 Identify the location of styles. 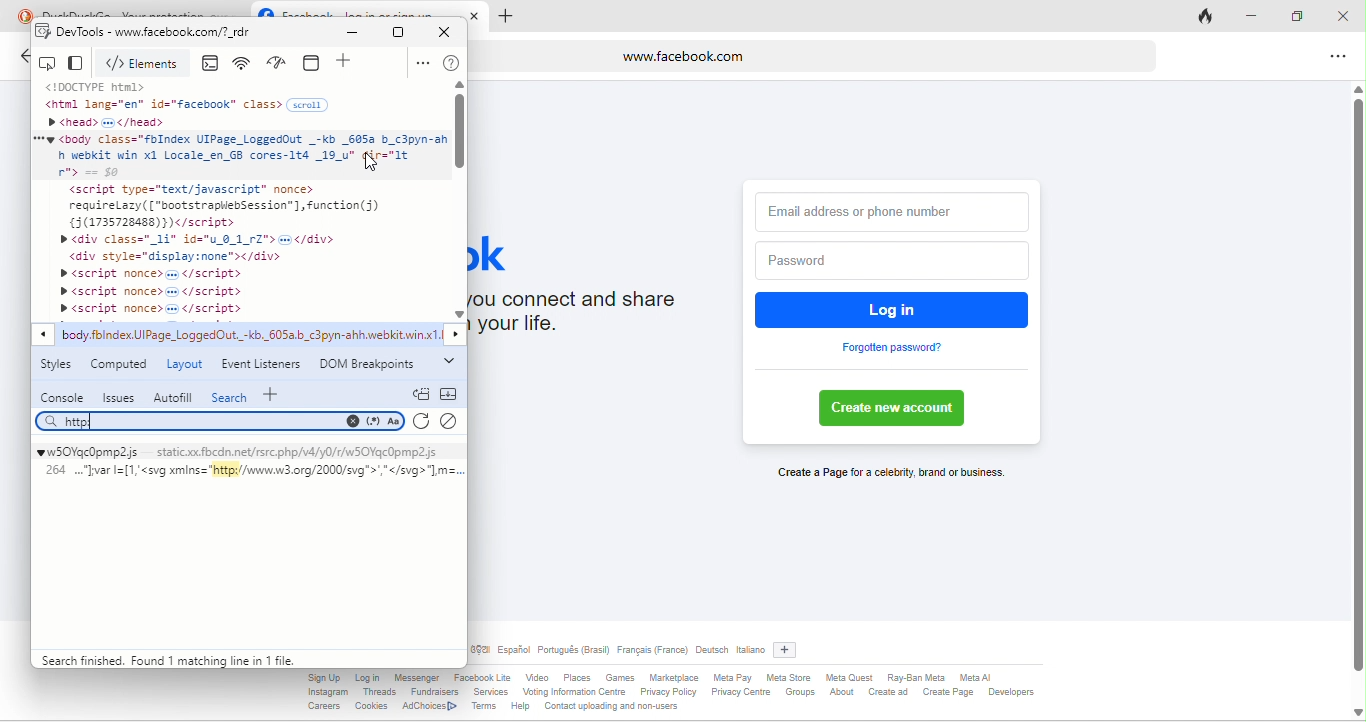
(60, 368).